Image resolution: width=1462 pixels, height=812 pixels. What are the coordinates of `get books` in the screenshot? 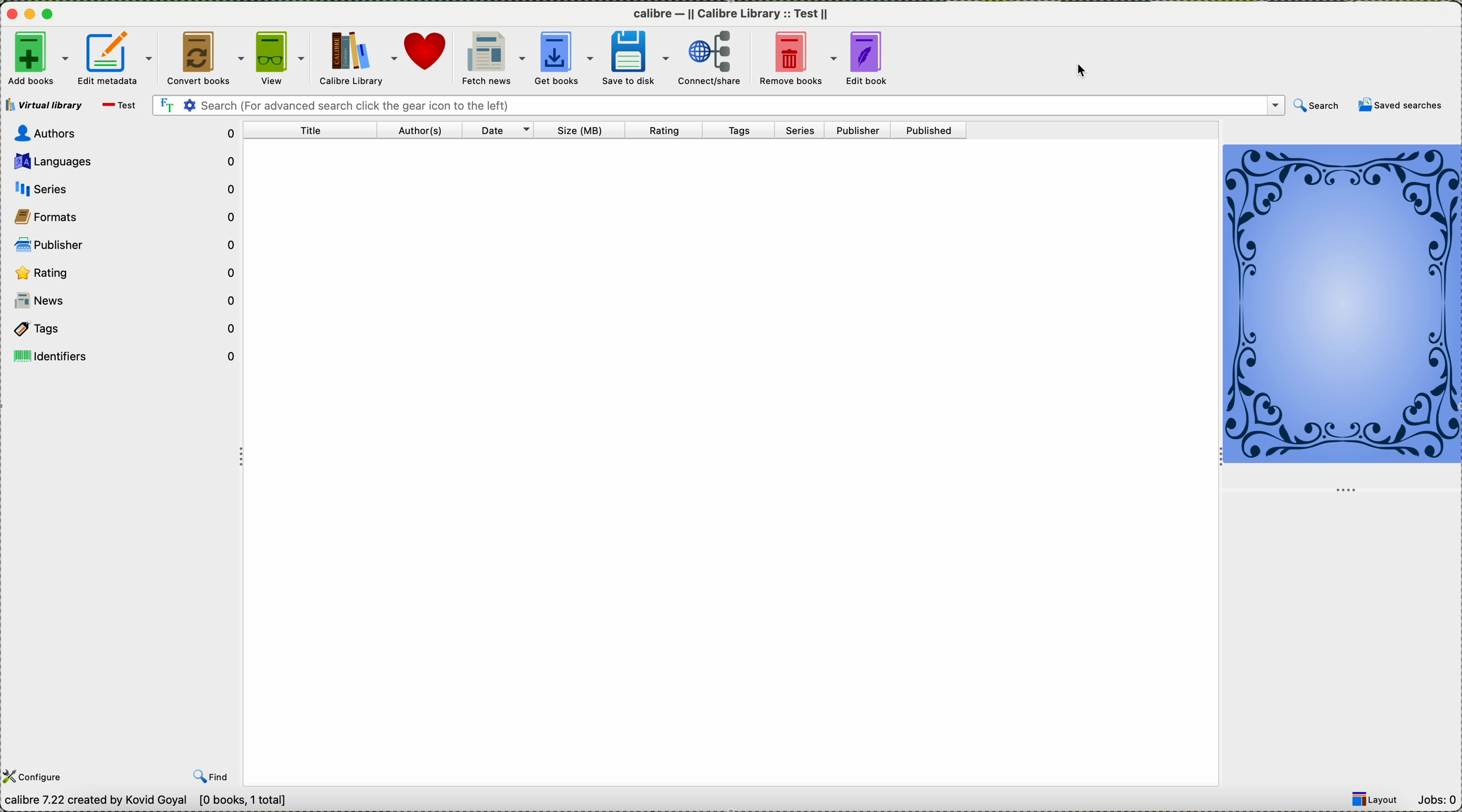 It's located at (565, 60).